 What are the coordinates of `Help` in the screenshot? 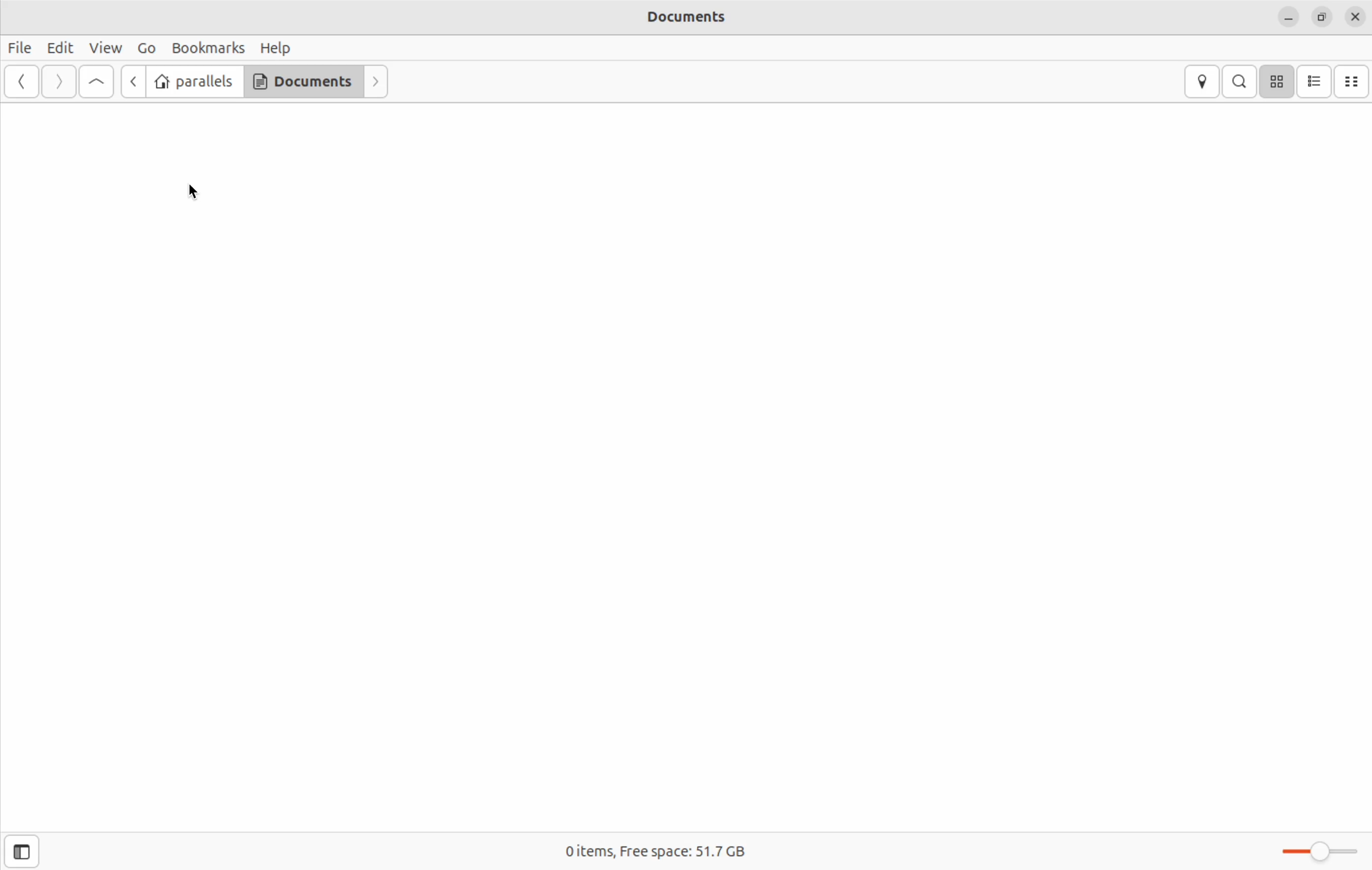 It's located at (277, 49).